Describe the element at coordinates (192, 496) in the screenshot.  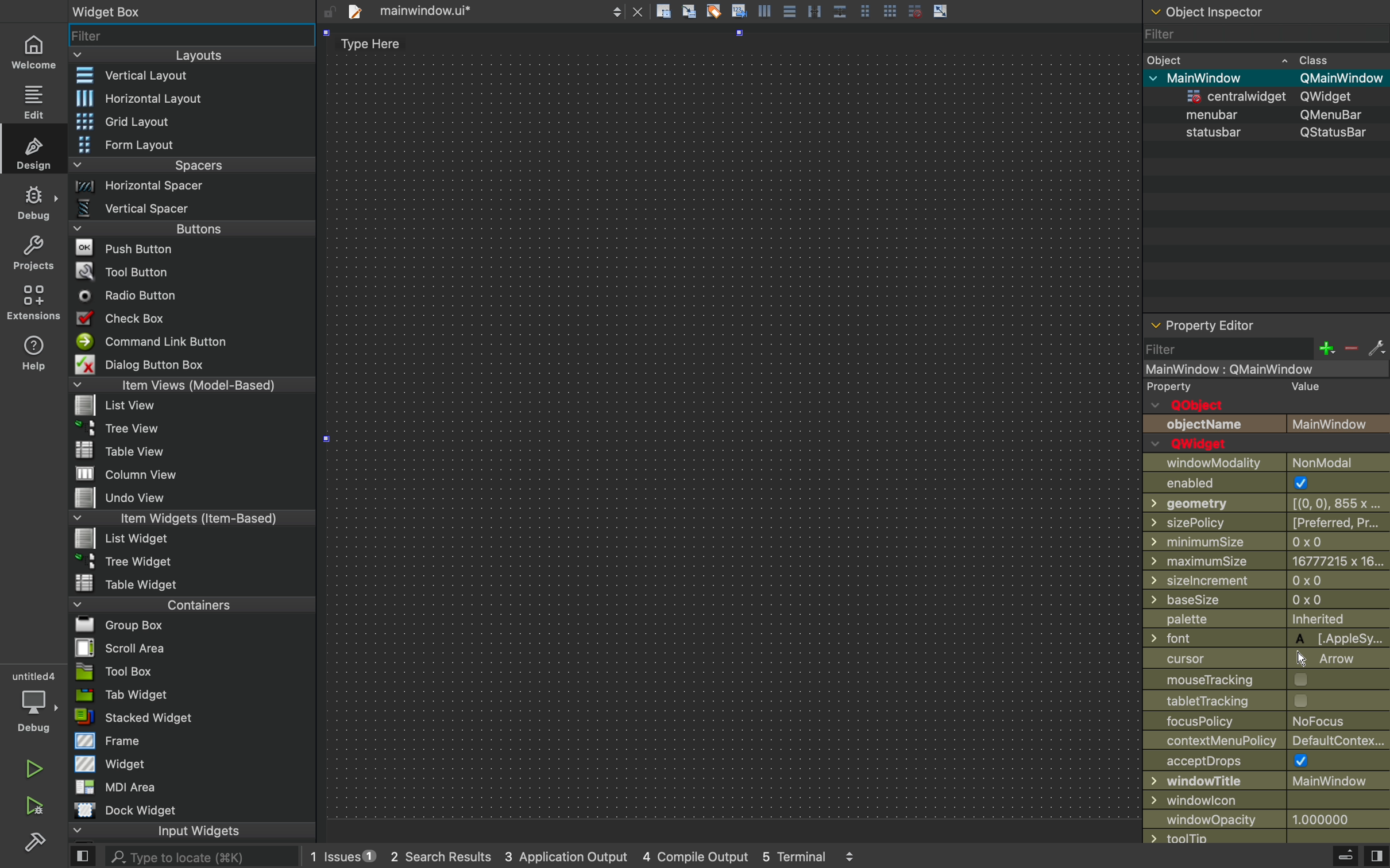
I see `undo view` at that location.